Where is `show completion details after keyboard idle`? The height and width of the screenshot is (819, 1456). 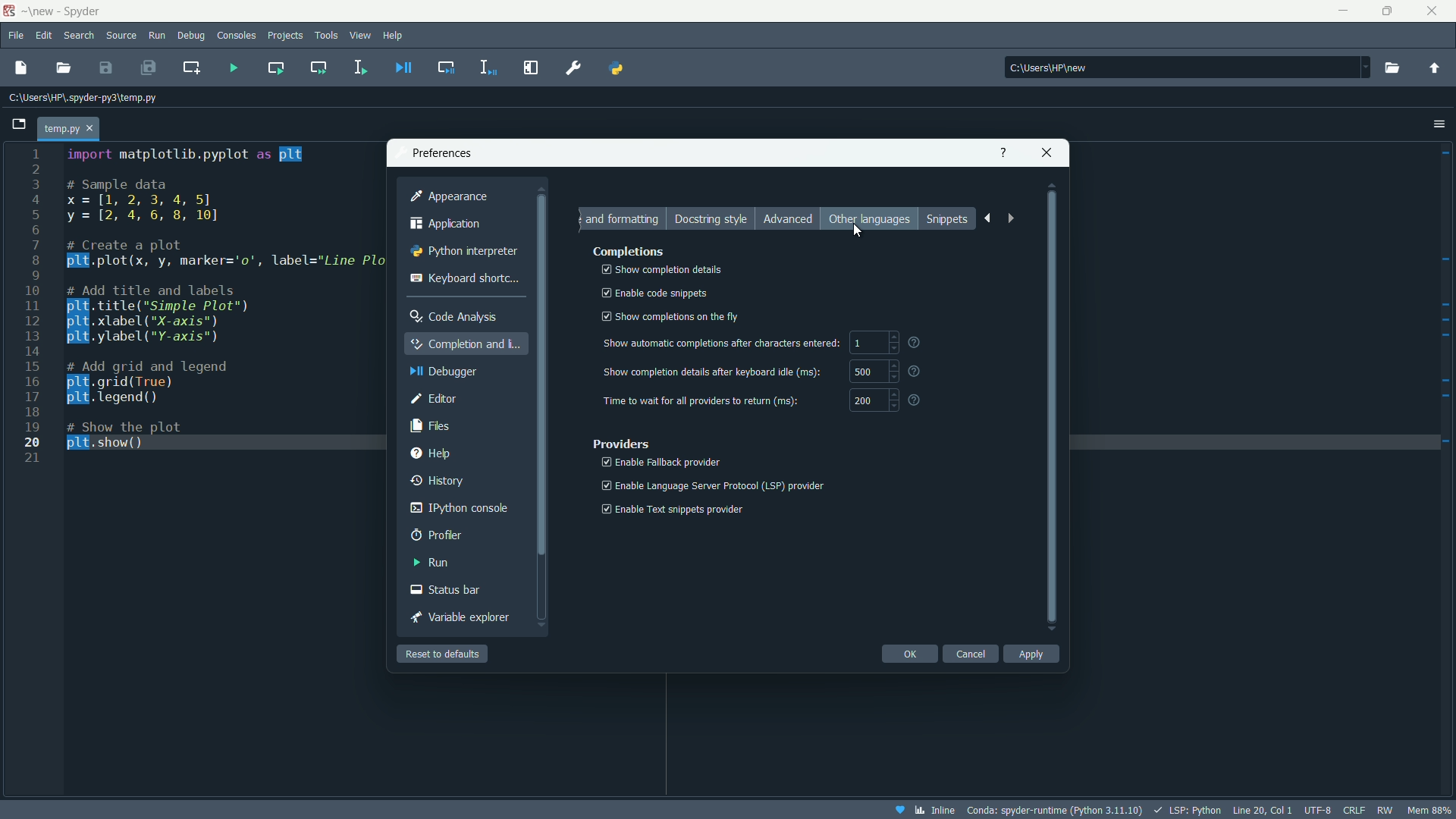
show completion details after keyboard idle is located at coordinates (711, 371).